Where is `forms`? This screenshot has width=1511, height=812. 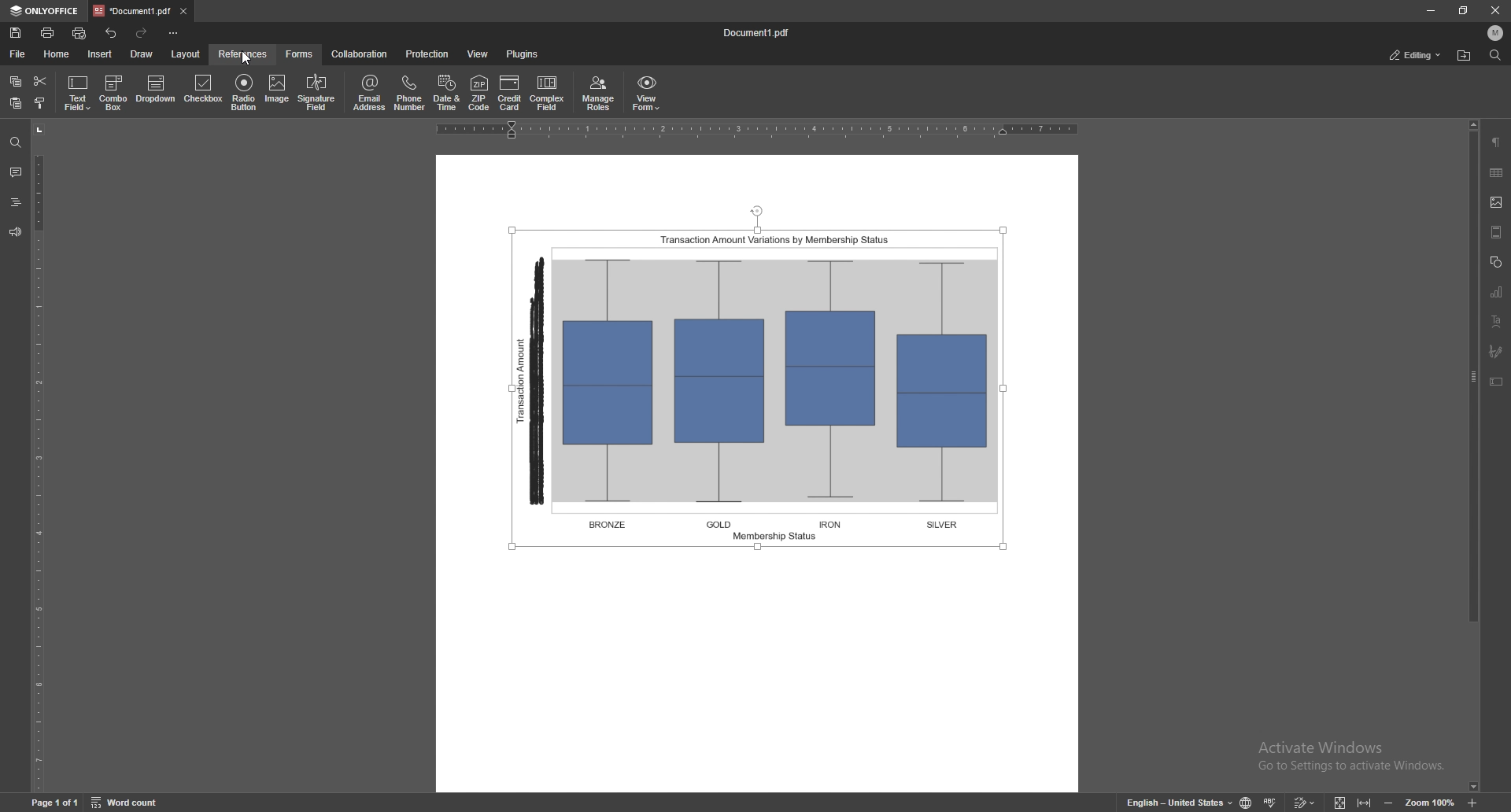 forms is located at coordinates (301, 54).